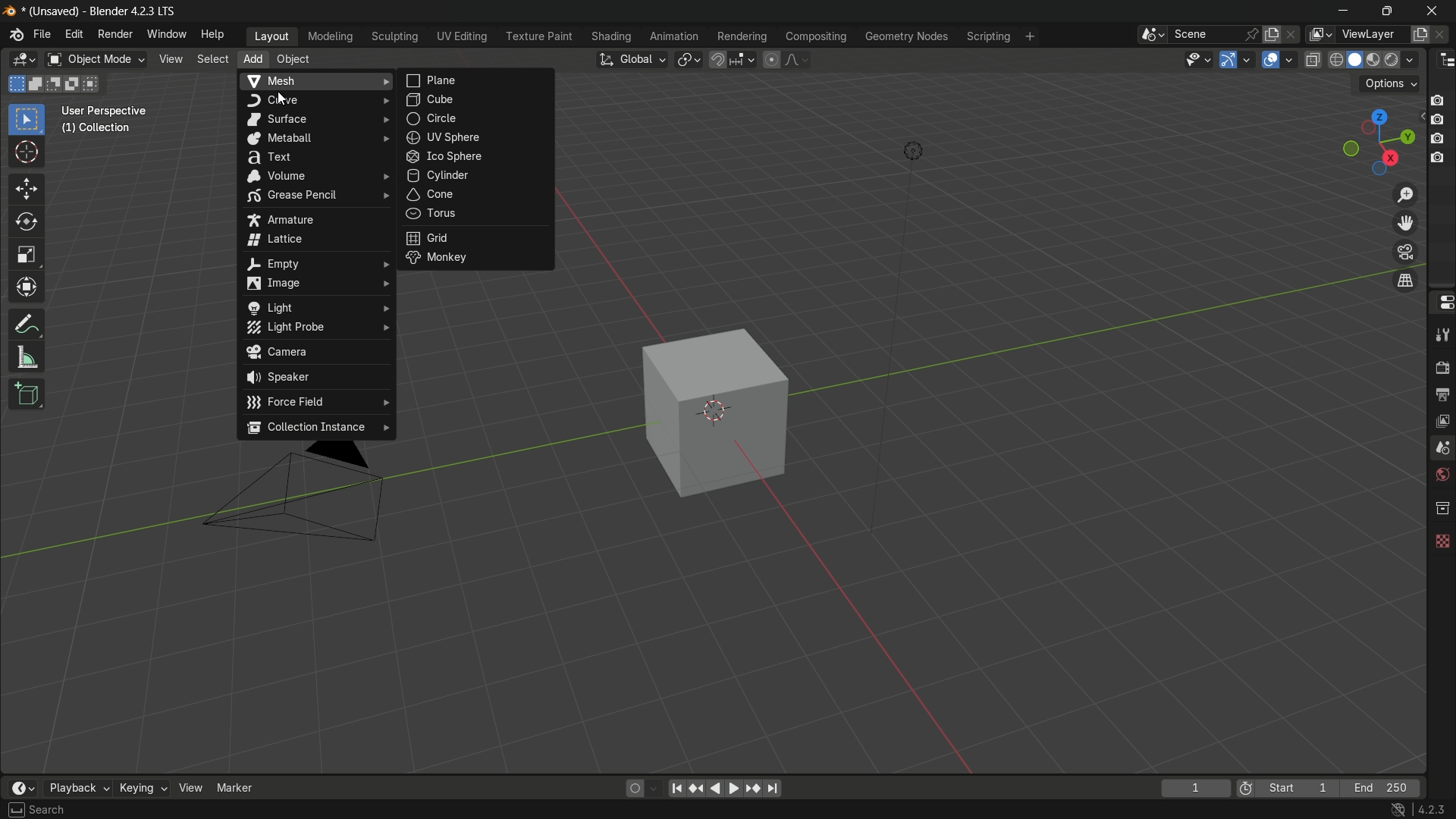 The width and height of the screenshot is (1456, 819). Describe the element at coordinates (463, 37) in the screenshot. I see `uv editing menu` at that location.